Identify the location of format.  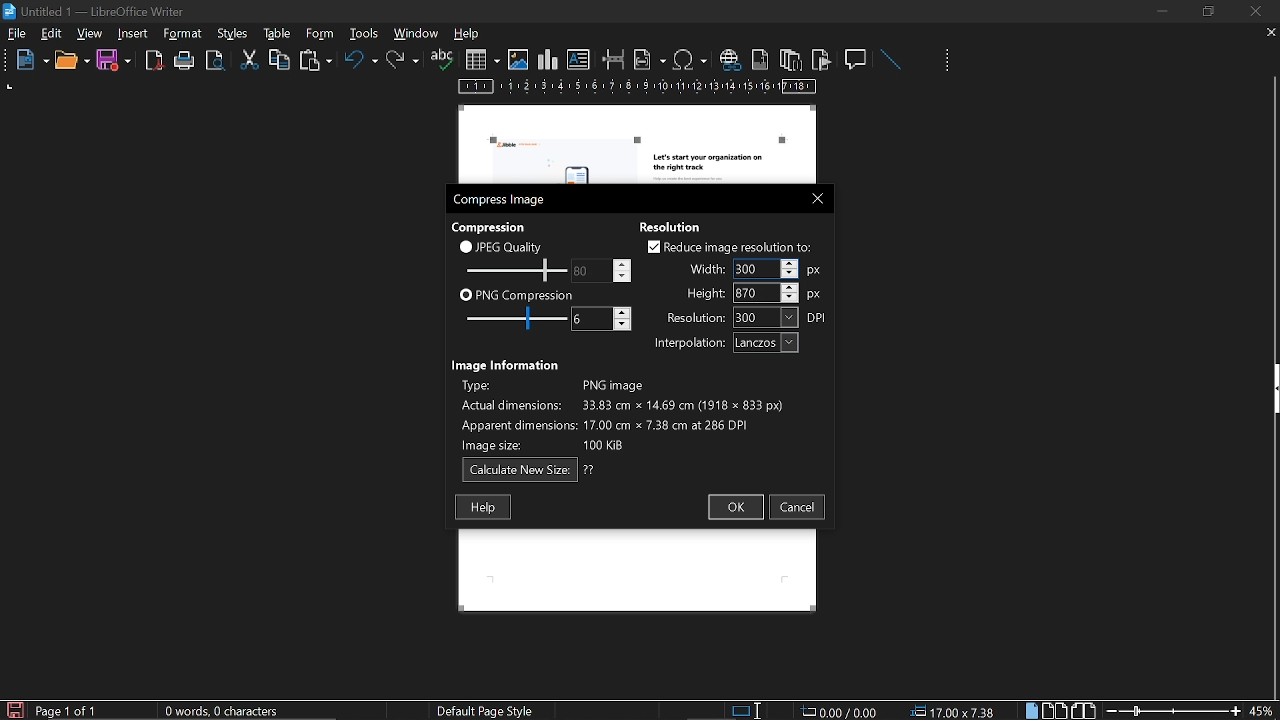
(231, 32).